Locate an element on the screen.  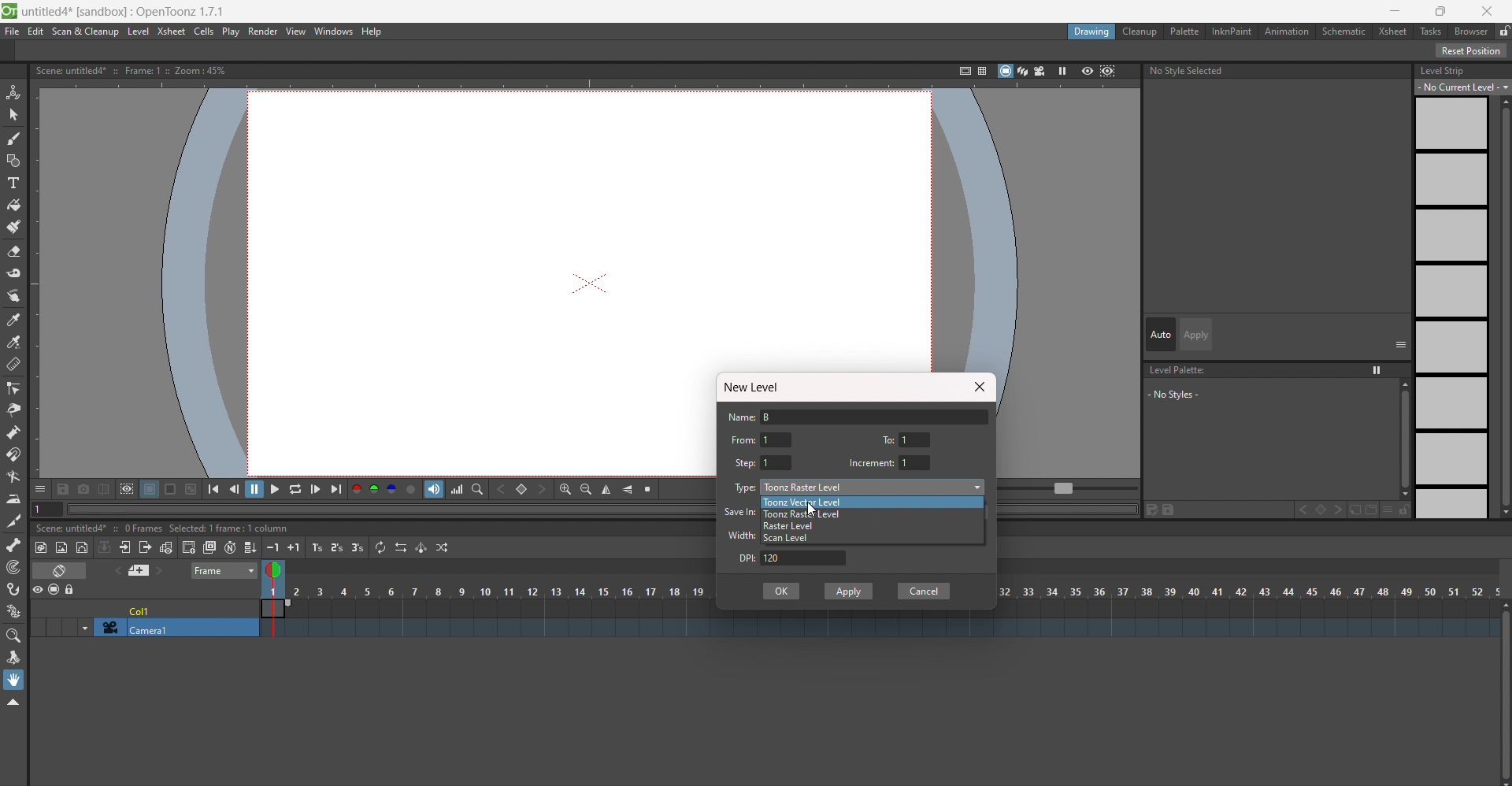
next frame is located at coordinates (316, 489).